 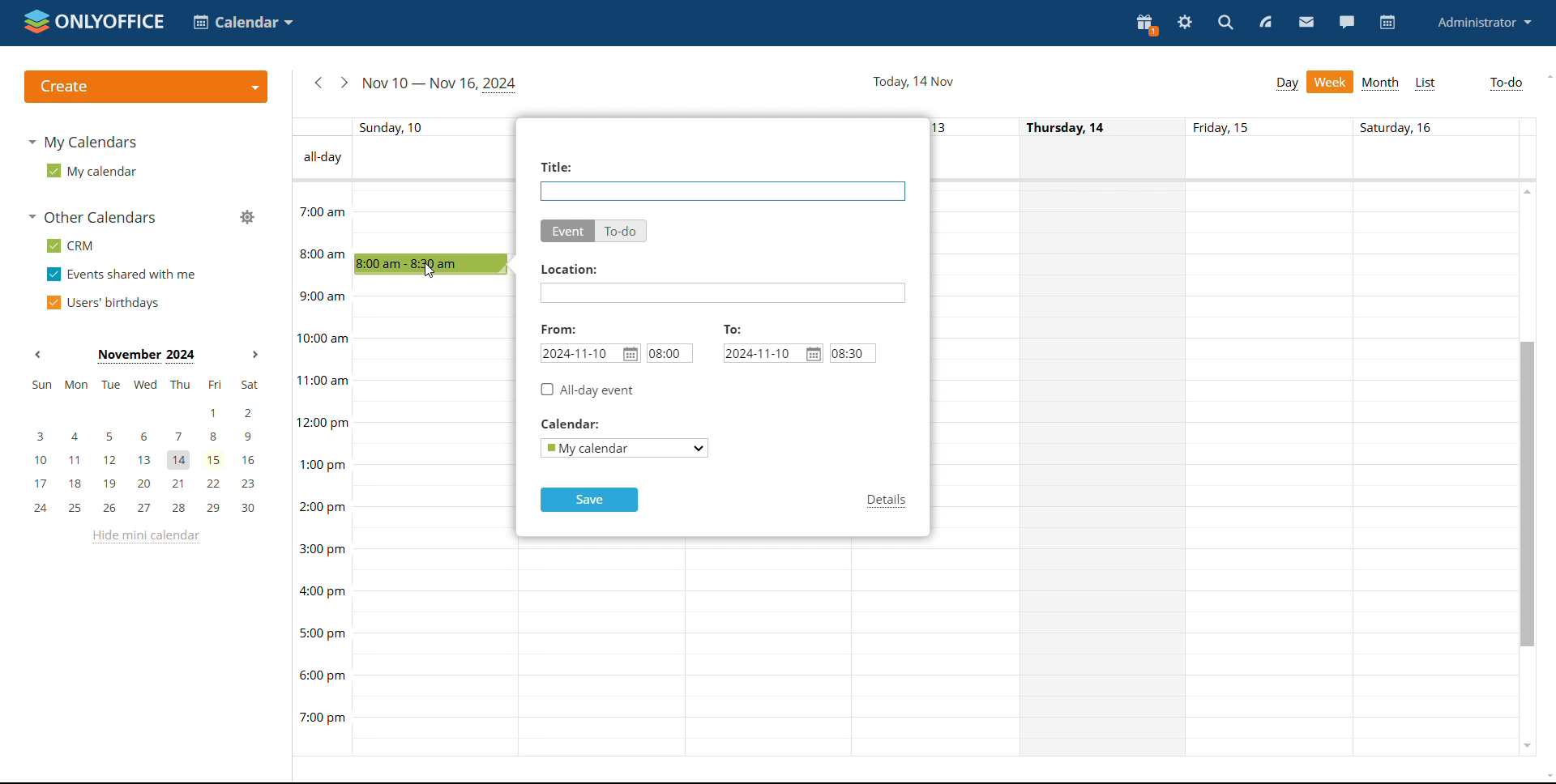 What do you see at coordinates (1186, 23) in the screenshot?
I see `settings` at bounding box center [1186, 23].